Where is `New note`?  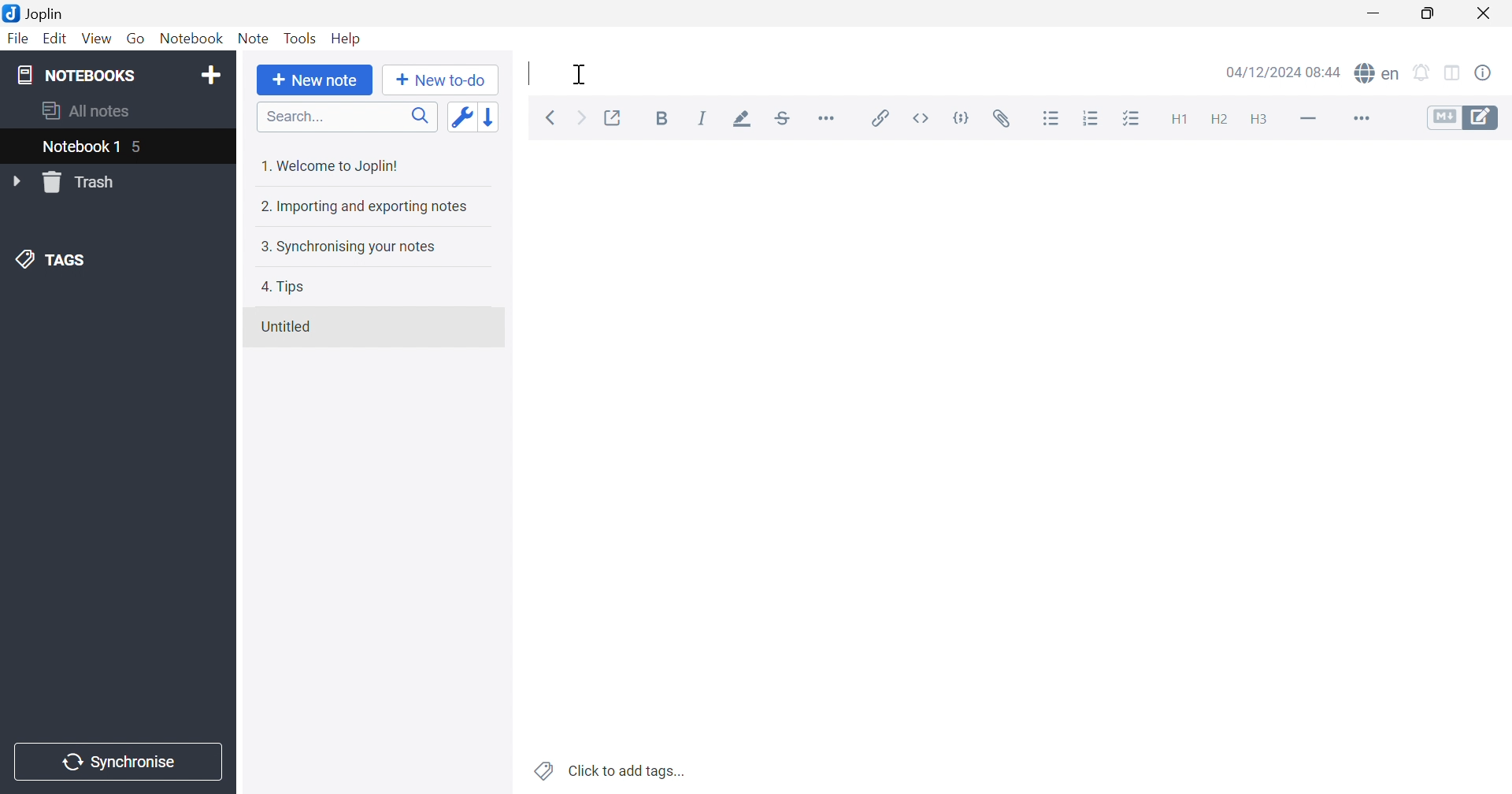 New note is located at coordinates (314, 80).